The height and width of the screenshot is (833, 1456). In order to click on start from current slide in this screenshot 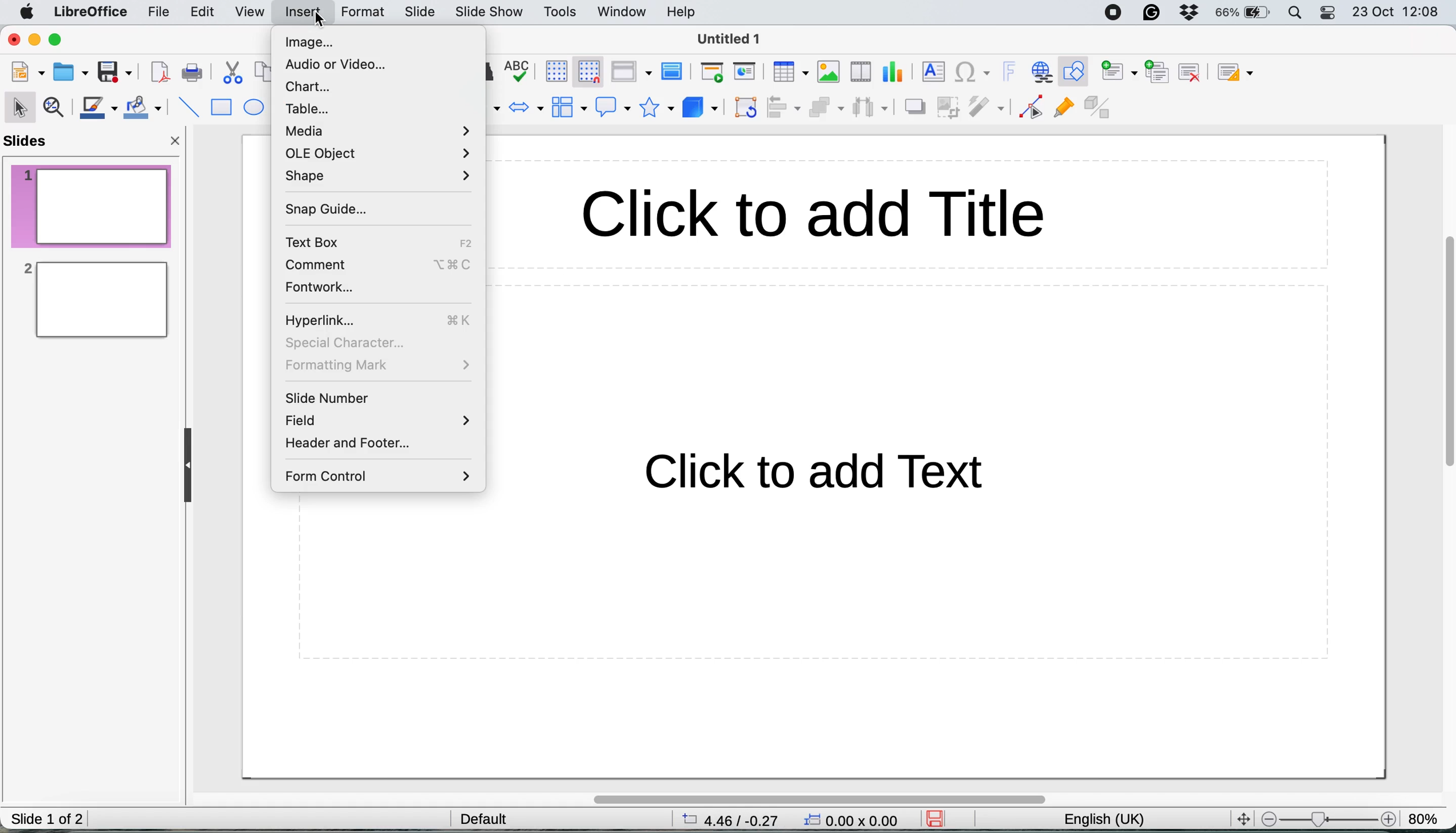, I will do `click(746, 72)`.